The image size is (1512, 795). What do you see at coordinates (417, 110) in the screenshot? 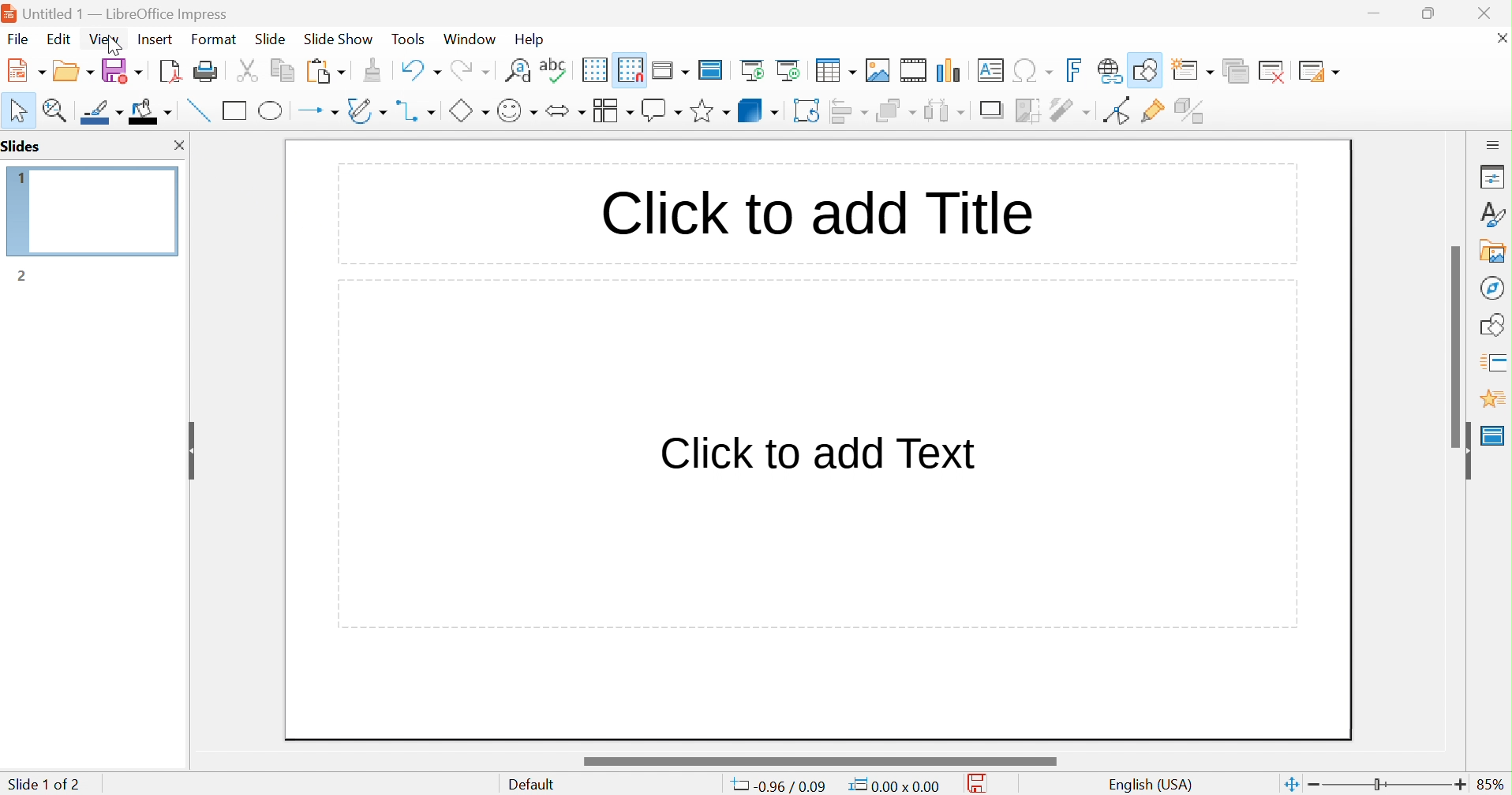
I see `connectors` at bounding box center [417, 110].